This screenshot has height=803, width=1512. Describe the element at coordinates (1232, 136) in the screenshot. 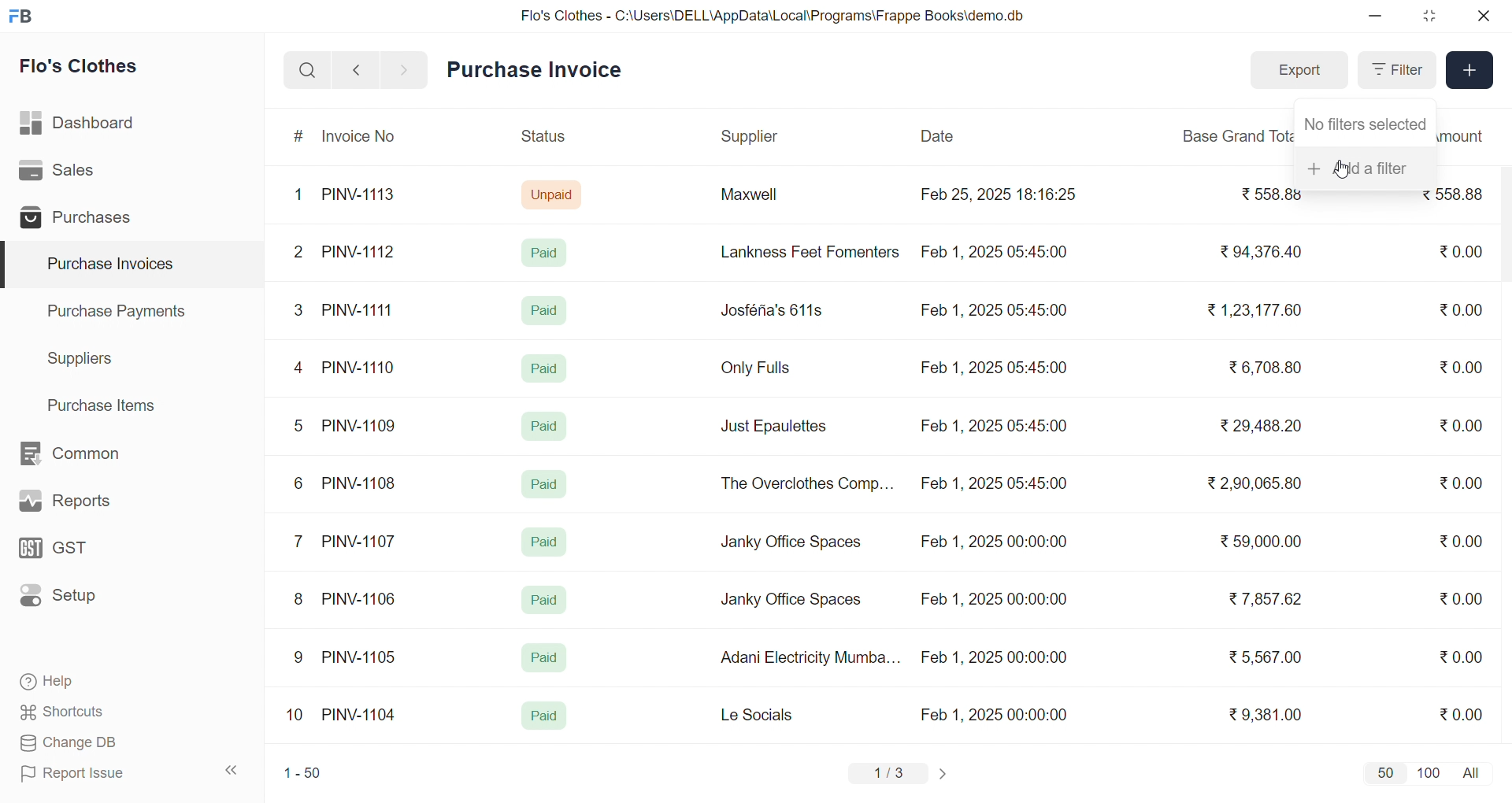

I see `Base Grand Total` at that location.